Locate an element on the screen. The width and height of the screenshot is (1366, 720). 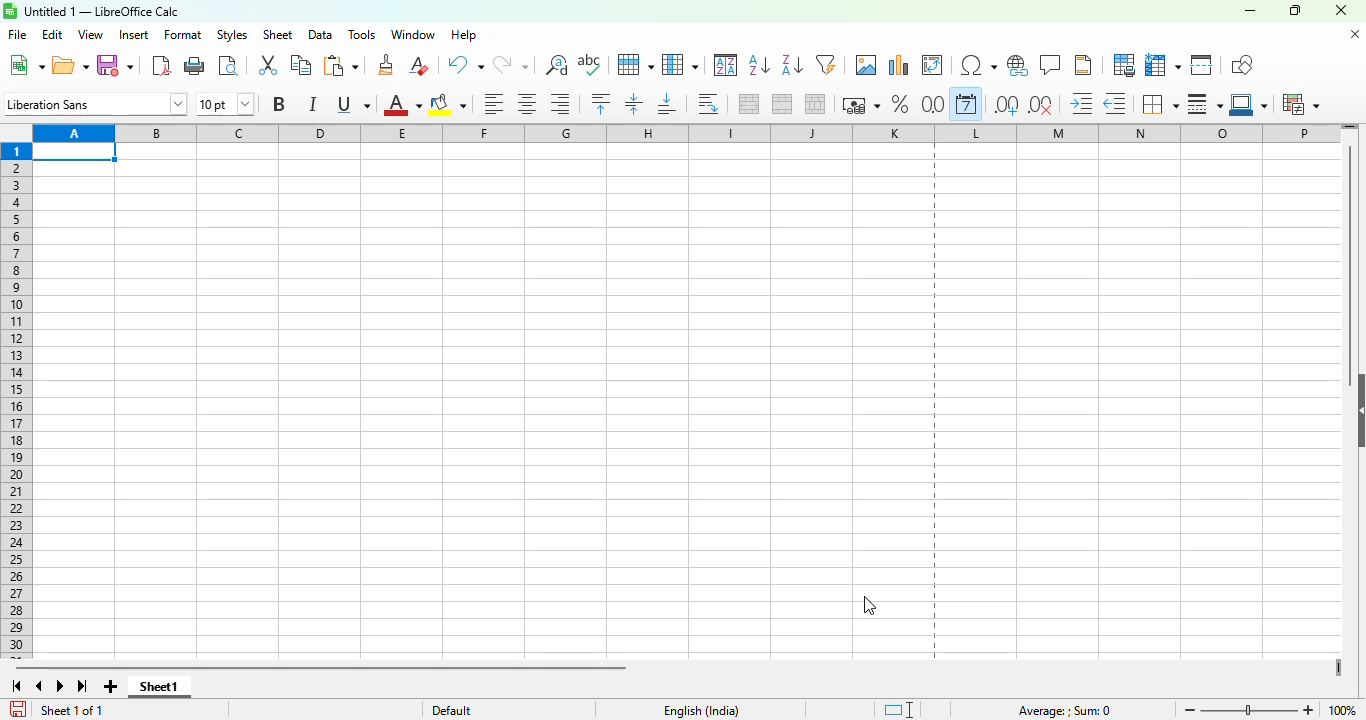
split window is located at coordinates (1201, 65).